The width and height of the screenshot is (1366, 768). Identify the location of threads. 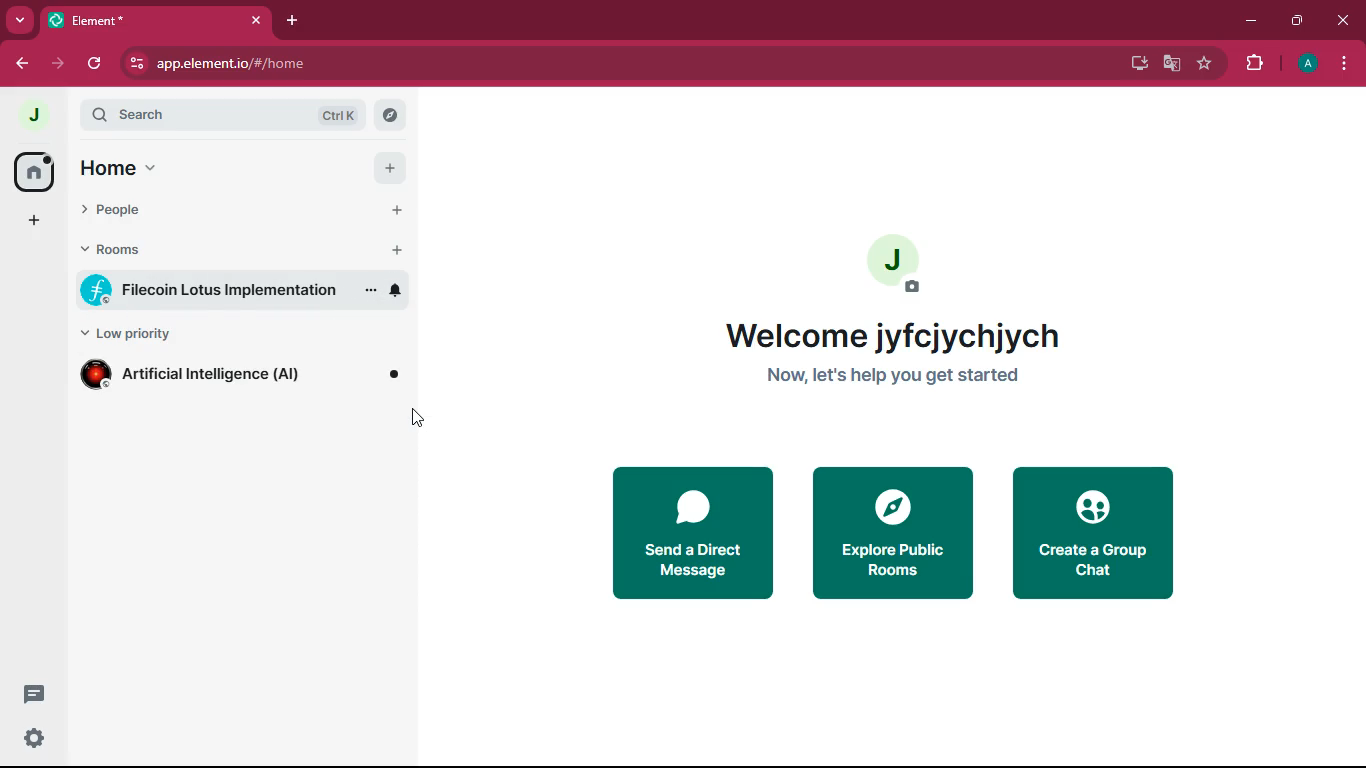
(34, 693).